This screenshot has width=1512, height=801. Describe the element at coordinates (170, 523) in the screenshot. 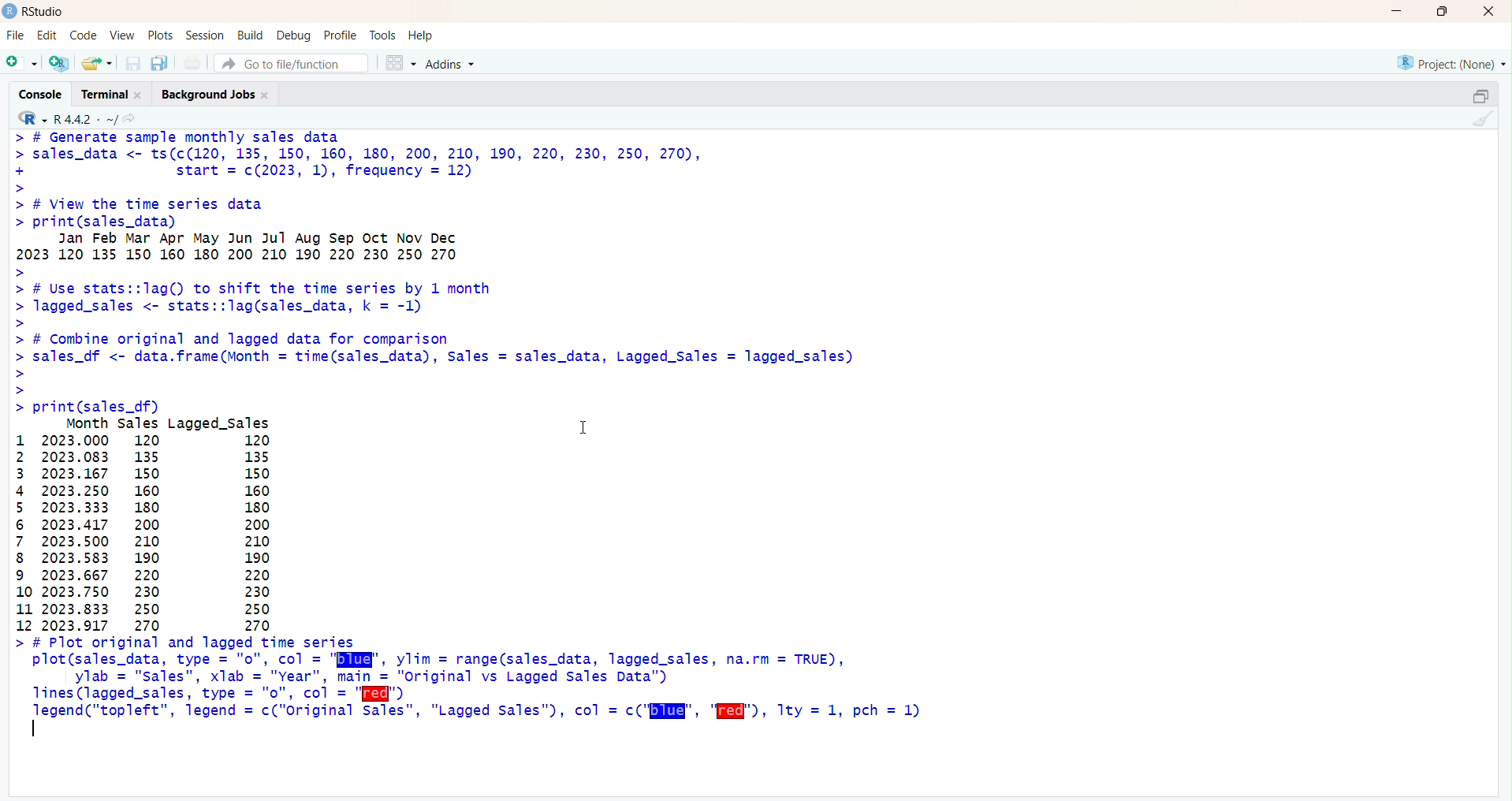

I see `Month Sales Lagged_Sales
1 2023.000 120 120
2 2023.083 135 135
3 2023.167 150 150
4 2023.250 160 160
5 2023.333 180 180
6 2023.417 200 200
7 2023.500 210 210
8 2023.583 190 190
9 2023.667 220 220
10 2023.750 230 230
11 2023.833 250 250
12 2023.917 270 270
>` at that location.